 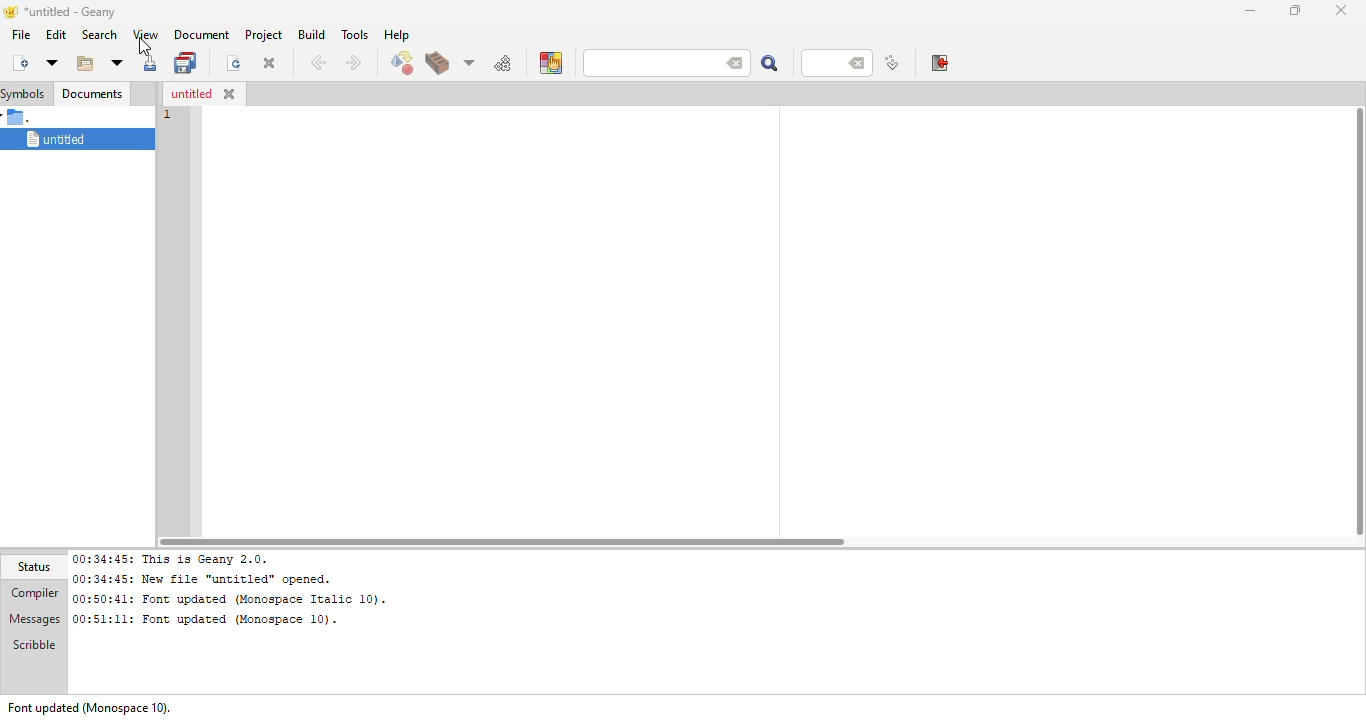 I want to click on new from template, so click(x=51, y=62).